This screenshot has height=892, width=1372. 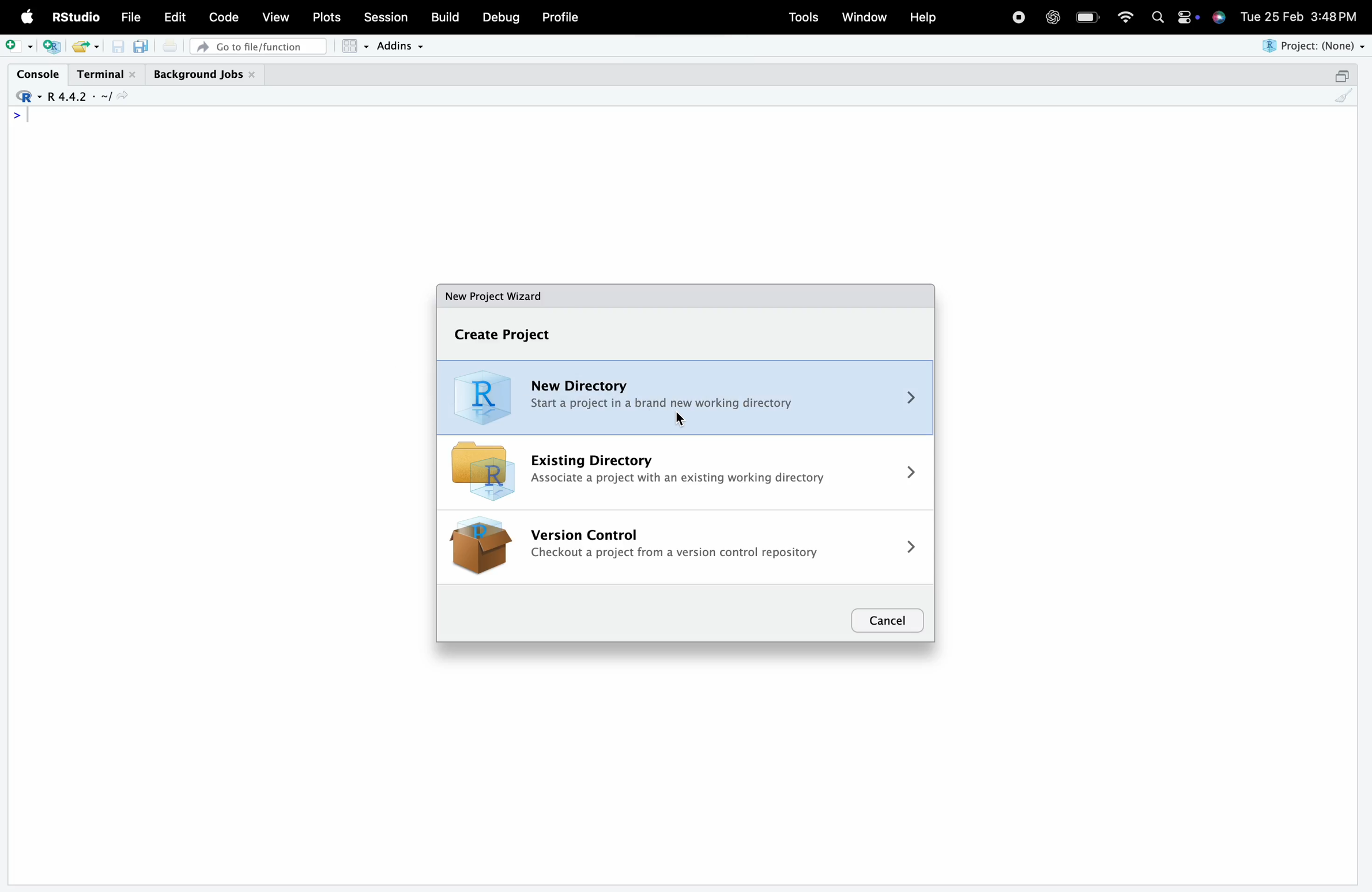 I want to click on siri, so click(x=1219, y=16).